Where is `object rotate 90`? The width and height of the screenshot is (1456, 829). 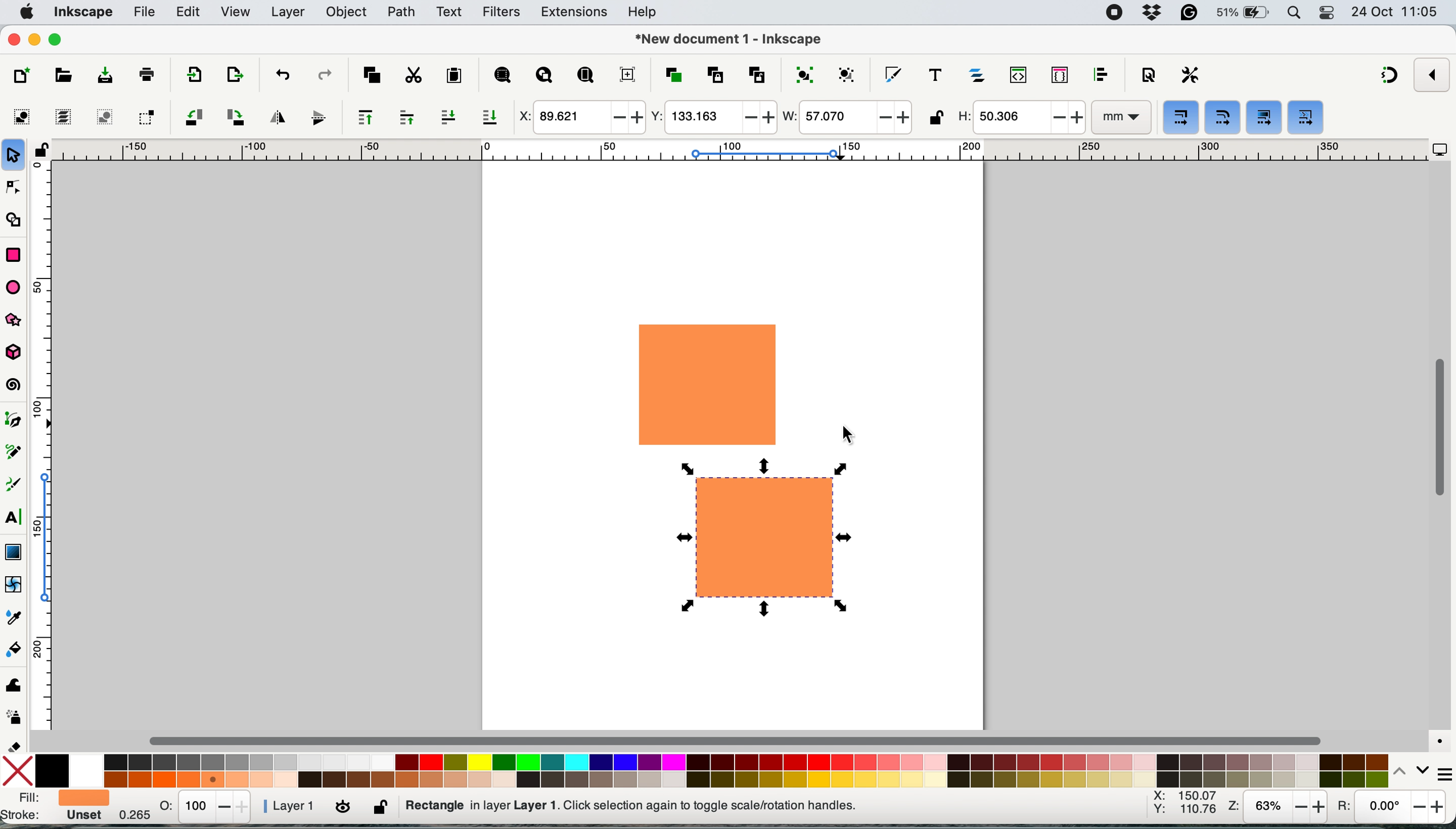 object rotate 90 is located at coordinates (234, 116).